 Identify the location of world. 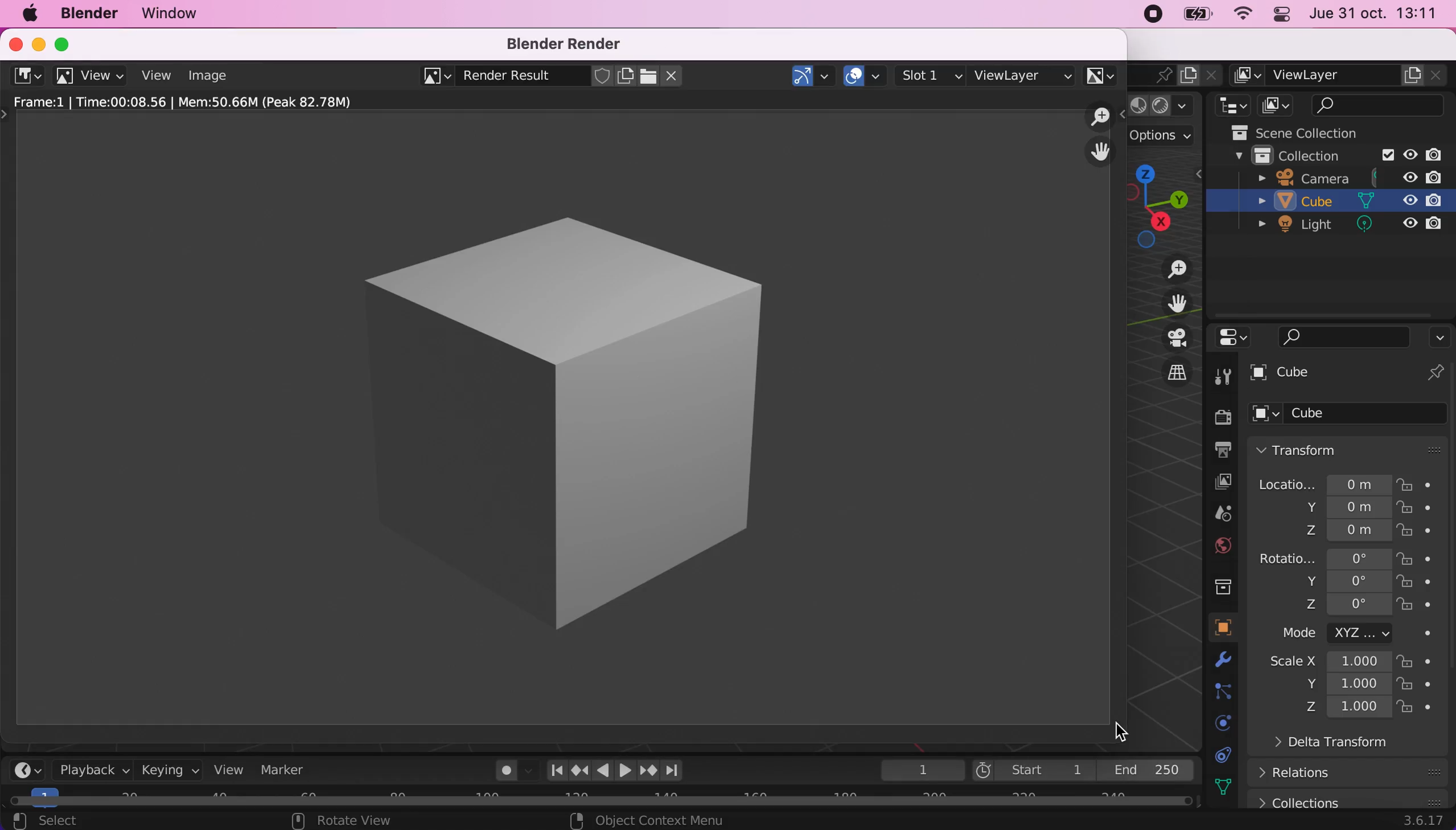
(1222, 546).